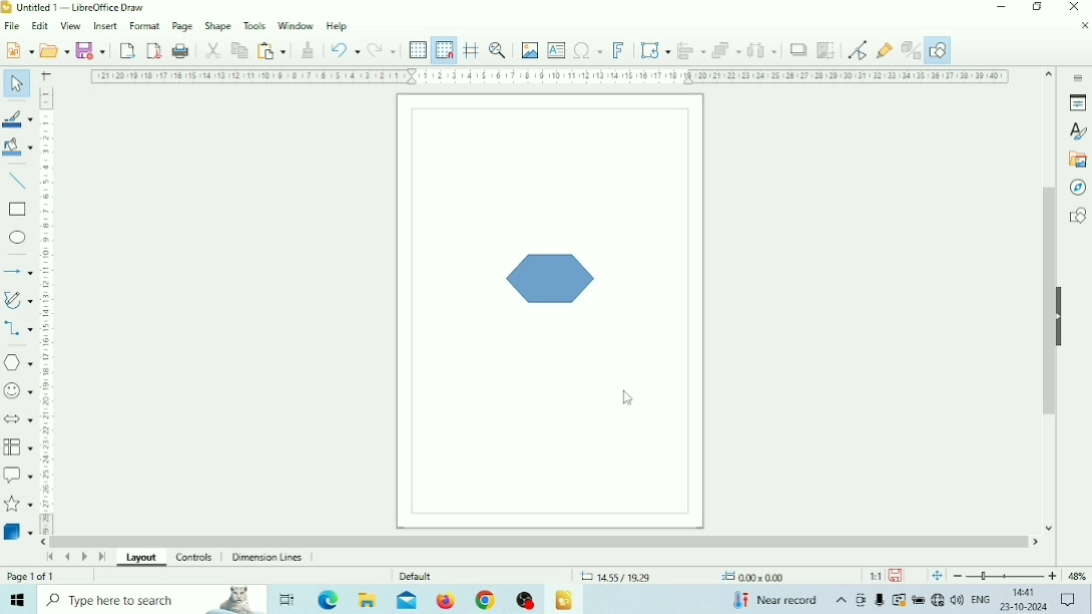  What do you see at coordinates (552, 276) in the screenshot?
I see `Hexagon inserted` at bounding box center [552, 276].